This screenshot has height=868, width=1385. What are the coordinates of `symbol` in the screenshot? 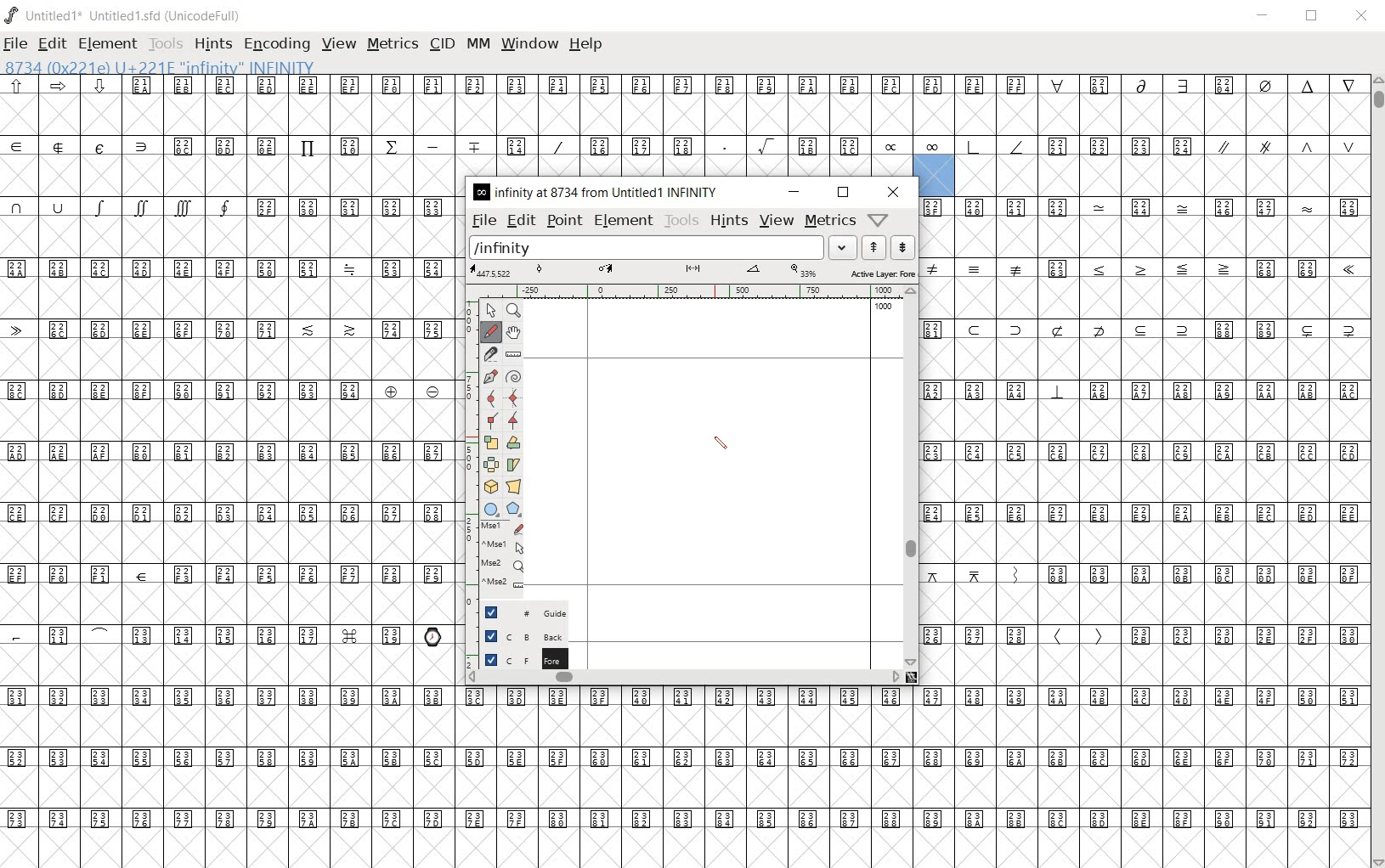 It's located at (1143, 206).